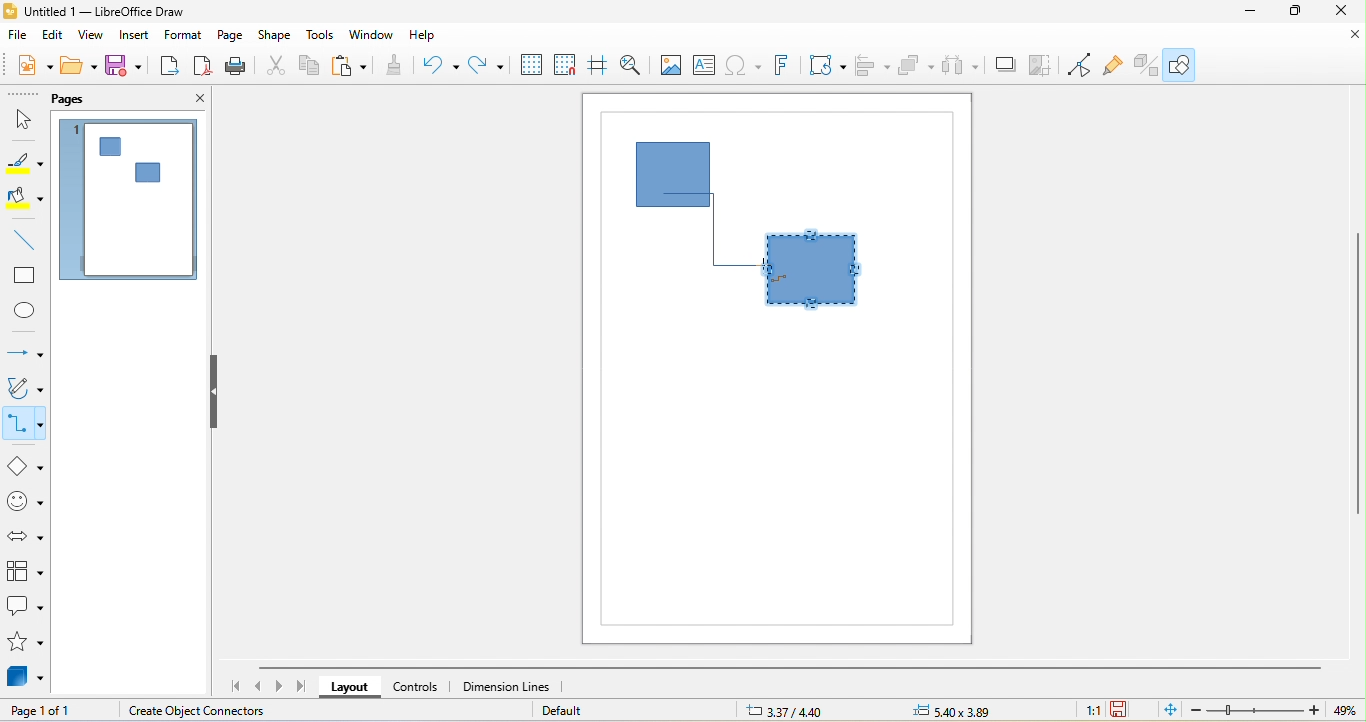 Image resolution: width=1366 pixels, height=722 pixels. Describe the element at coordinates (34, 67) in the screenshot. I see `new` at that location.